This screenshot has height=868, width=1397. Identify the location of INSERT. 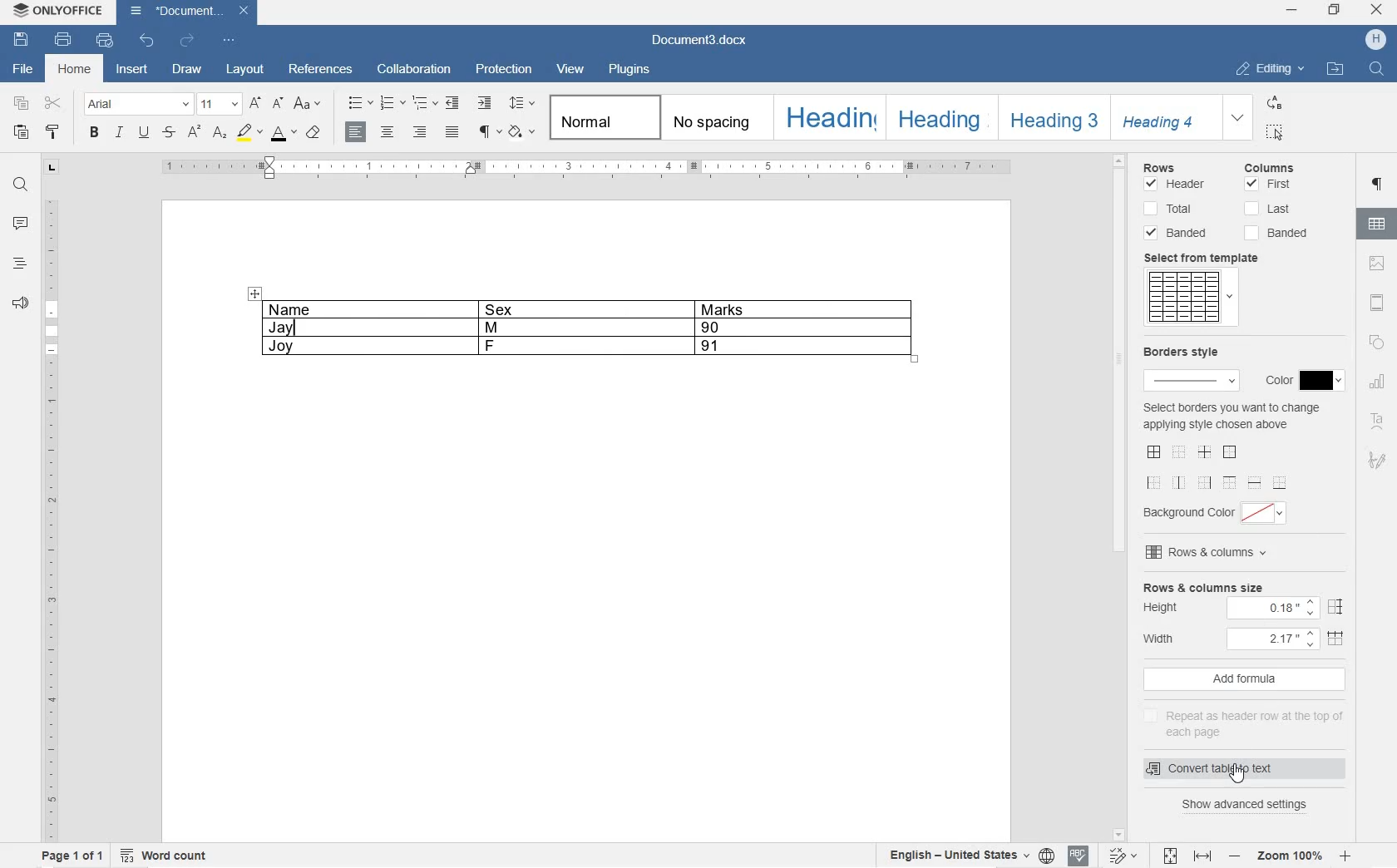
(134, 70).